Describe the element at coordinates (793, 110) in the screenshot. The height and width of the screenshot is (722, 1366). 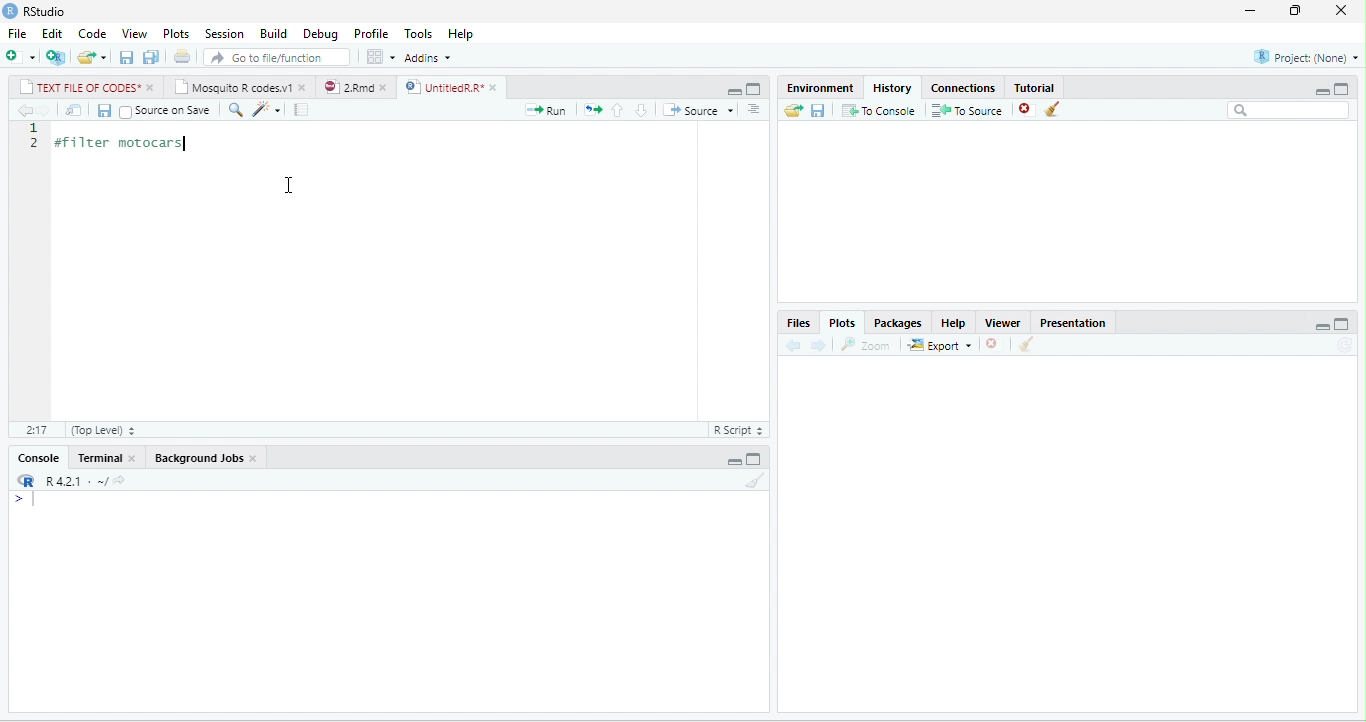
I see `open folder` at that location.